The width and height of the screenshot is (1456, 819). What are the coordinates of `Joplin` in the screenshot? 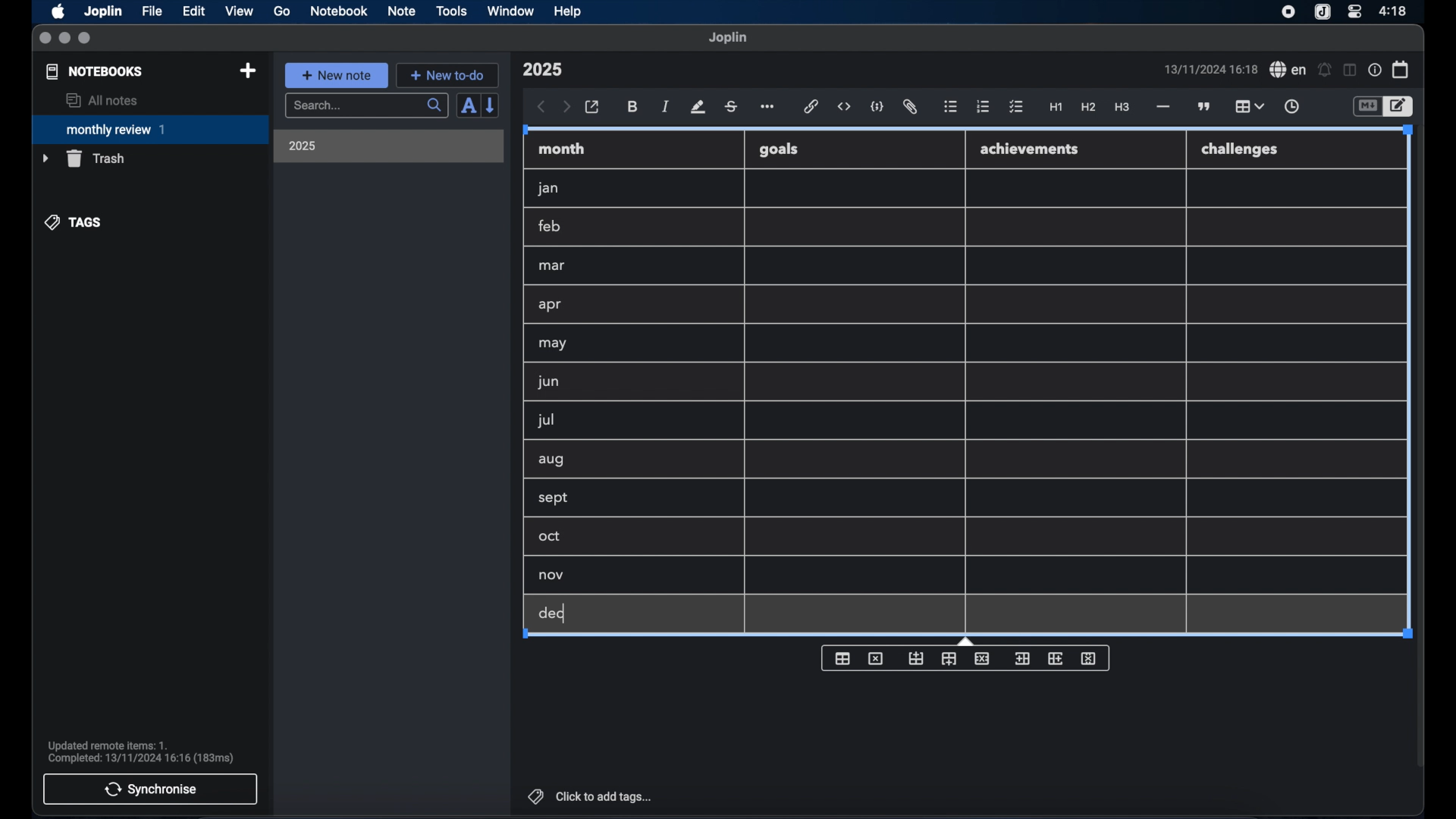 It's located at (105, 12).